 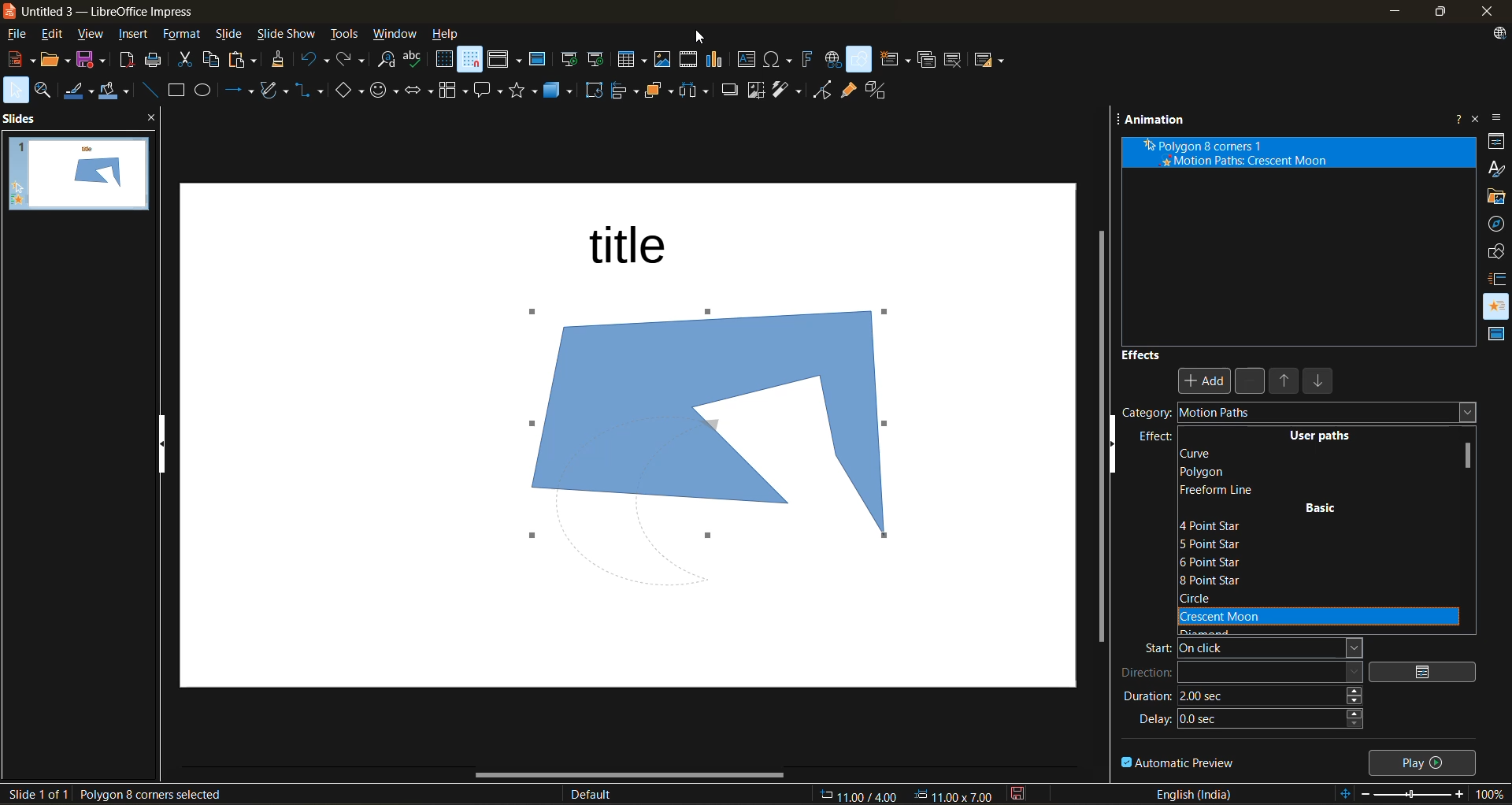 What do you see at coordinates (906, 793) in the screenshot?
I see `coordinates` at bounding box center [906, 793].